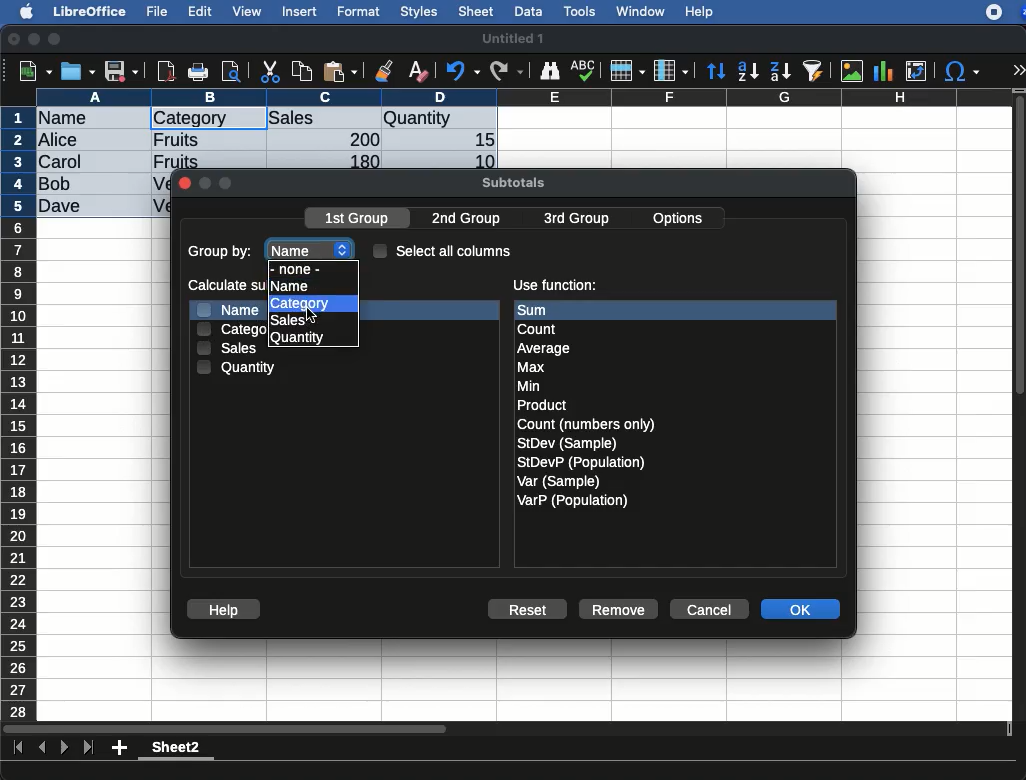 The width and height of the screenshot is (1026, 780). Describe the element at coordinates (77, 163) in the screenshot. I see `Carol` at that location.